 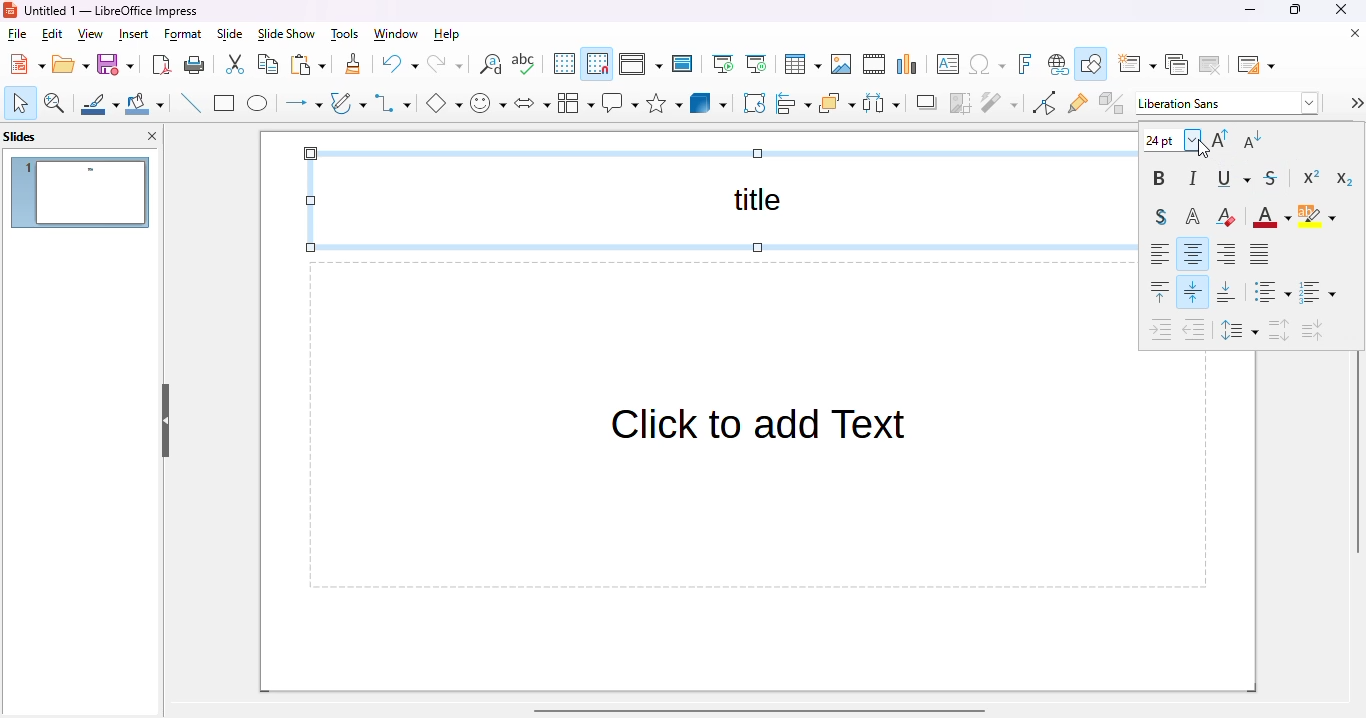 What do you see at coordinates (1112, 102) in the screenshot?
I see `toggle extrusion` at bounding box center [1112, 102].